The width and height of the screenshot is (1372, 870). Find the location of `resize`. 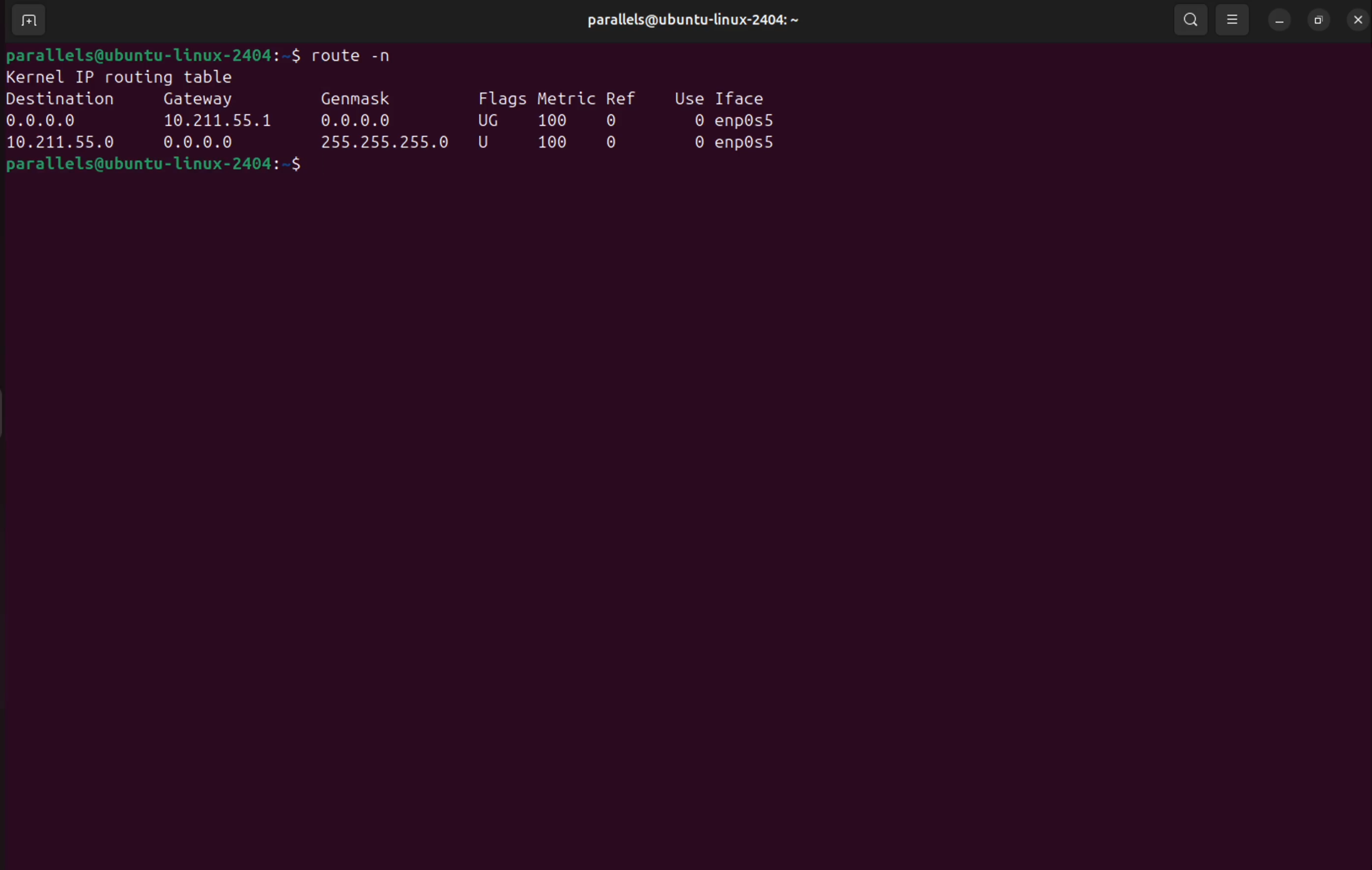

resize is located at coordinates (1317, 21).